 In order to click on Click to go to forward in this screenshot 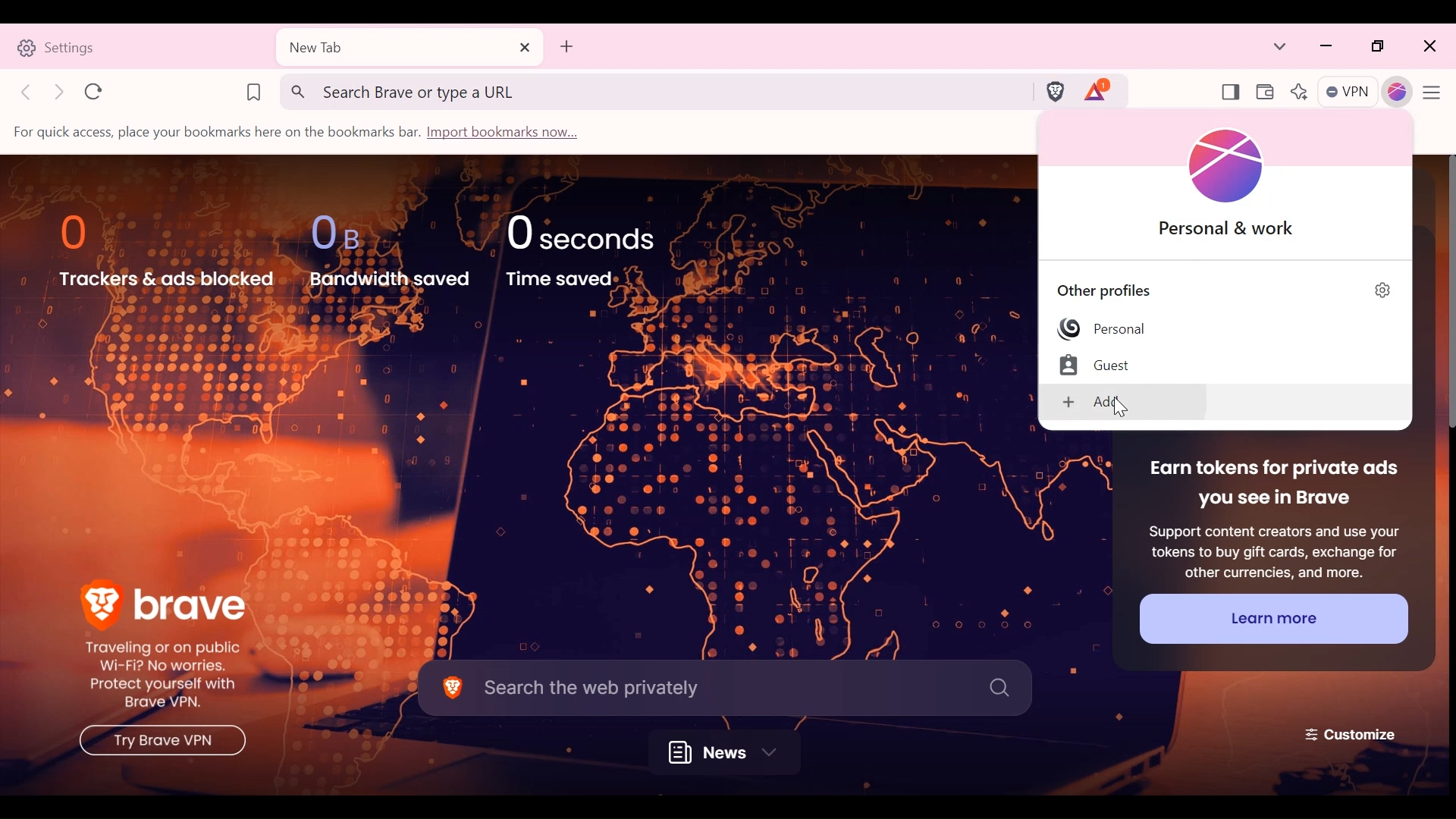, I will do `click(61, 92)`.